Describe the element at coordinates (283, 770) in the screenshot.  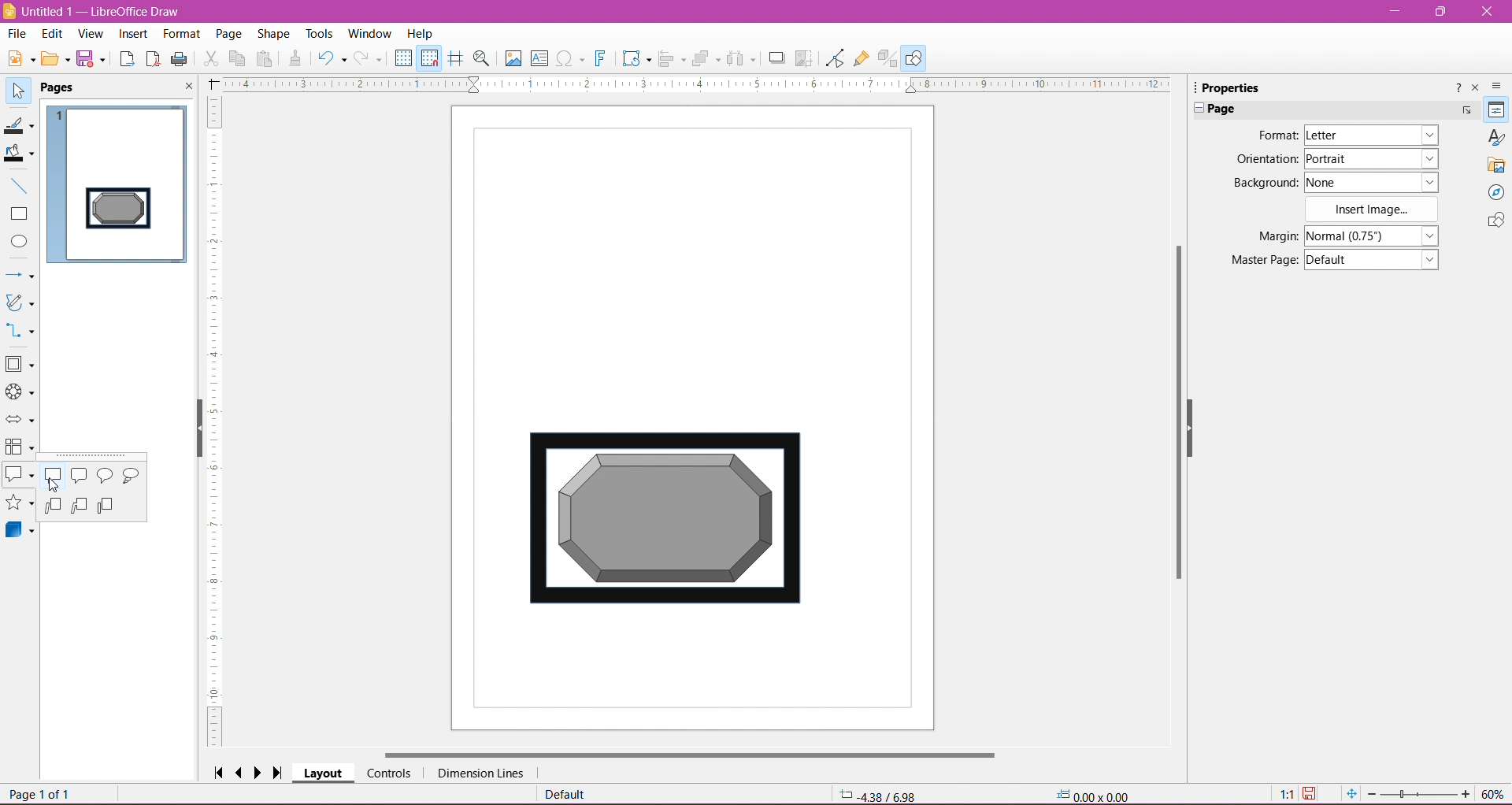
I see `Scroll to last page` at that location.